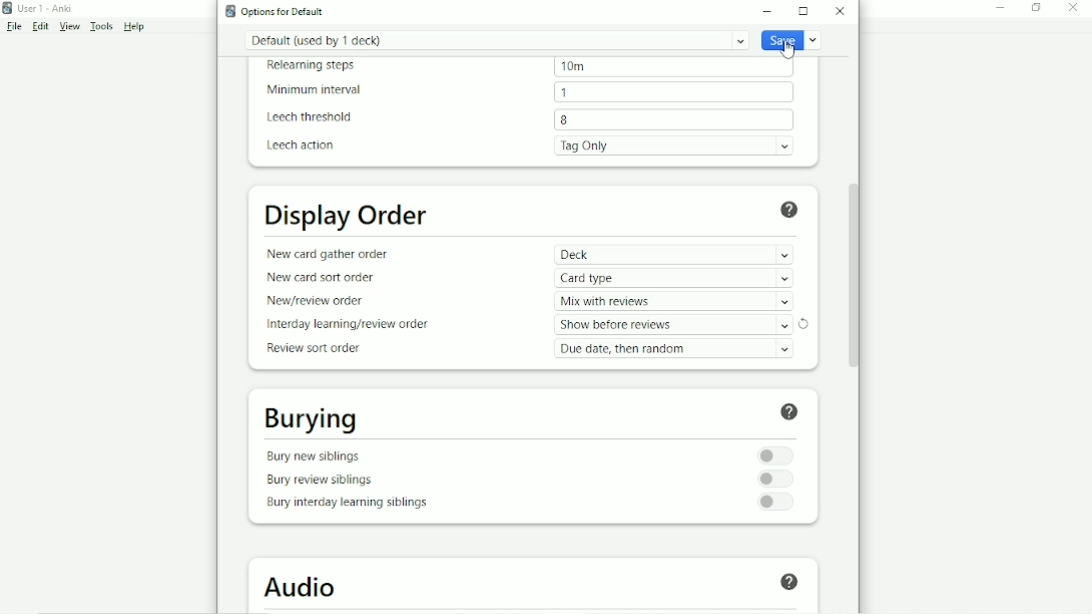  I want to click on Leech action, so click(302, 146).